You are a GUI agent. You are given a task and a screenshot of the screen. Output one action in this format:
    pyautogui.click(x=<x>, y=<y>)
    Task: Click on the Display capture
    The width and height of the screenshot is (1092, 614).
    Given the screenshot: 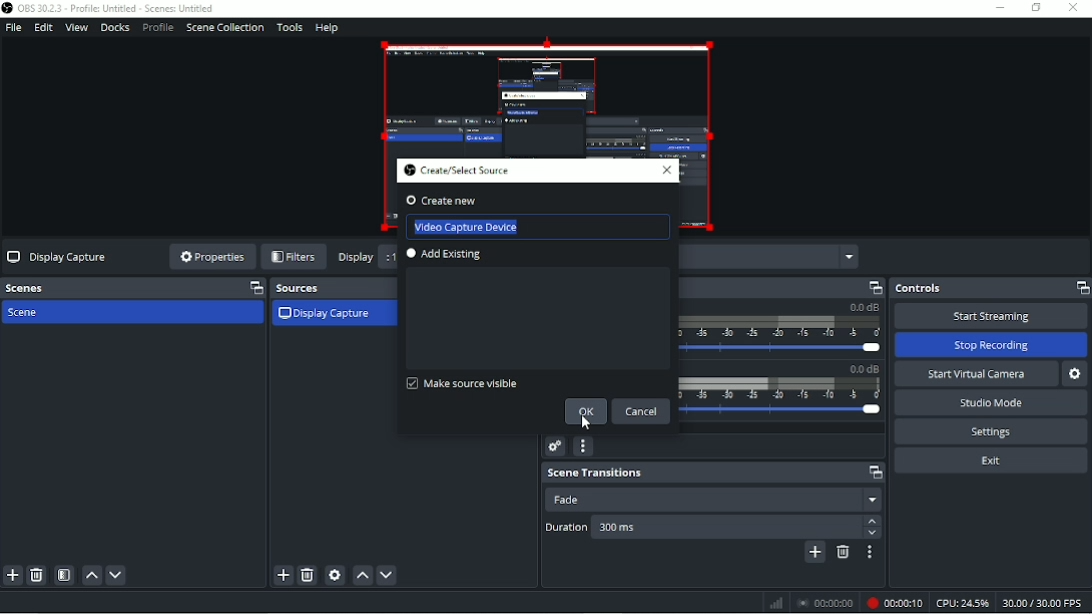 What is the action you would take?
    pyautogui.click(x=59, y=257)
    